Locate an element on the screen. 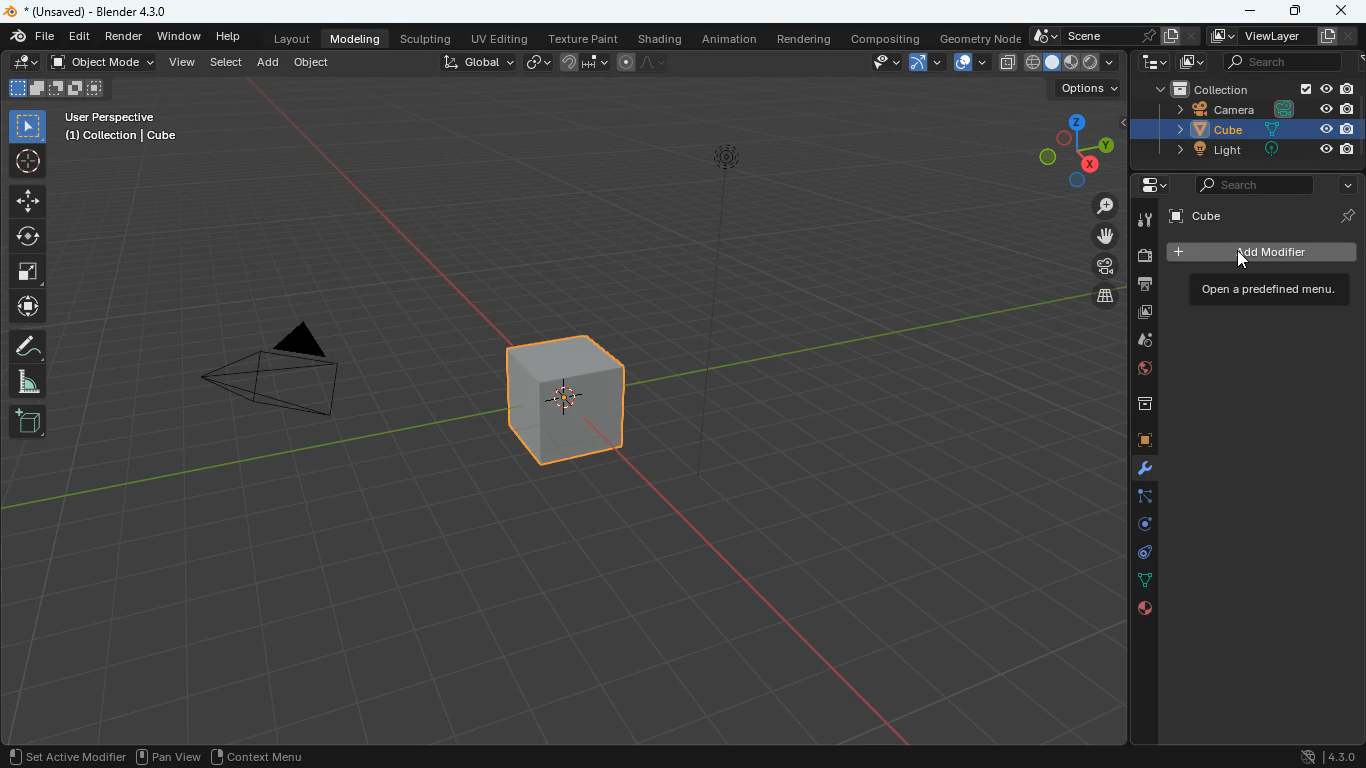 Image resolution: width=1366 pixels, height=768 pixels. settings is located at coordinates (1147, 186).